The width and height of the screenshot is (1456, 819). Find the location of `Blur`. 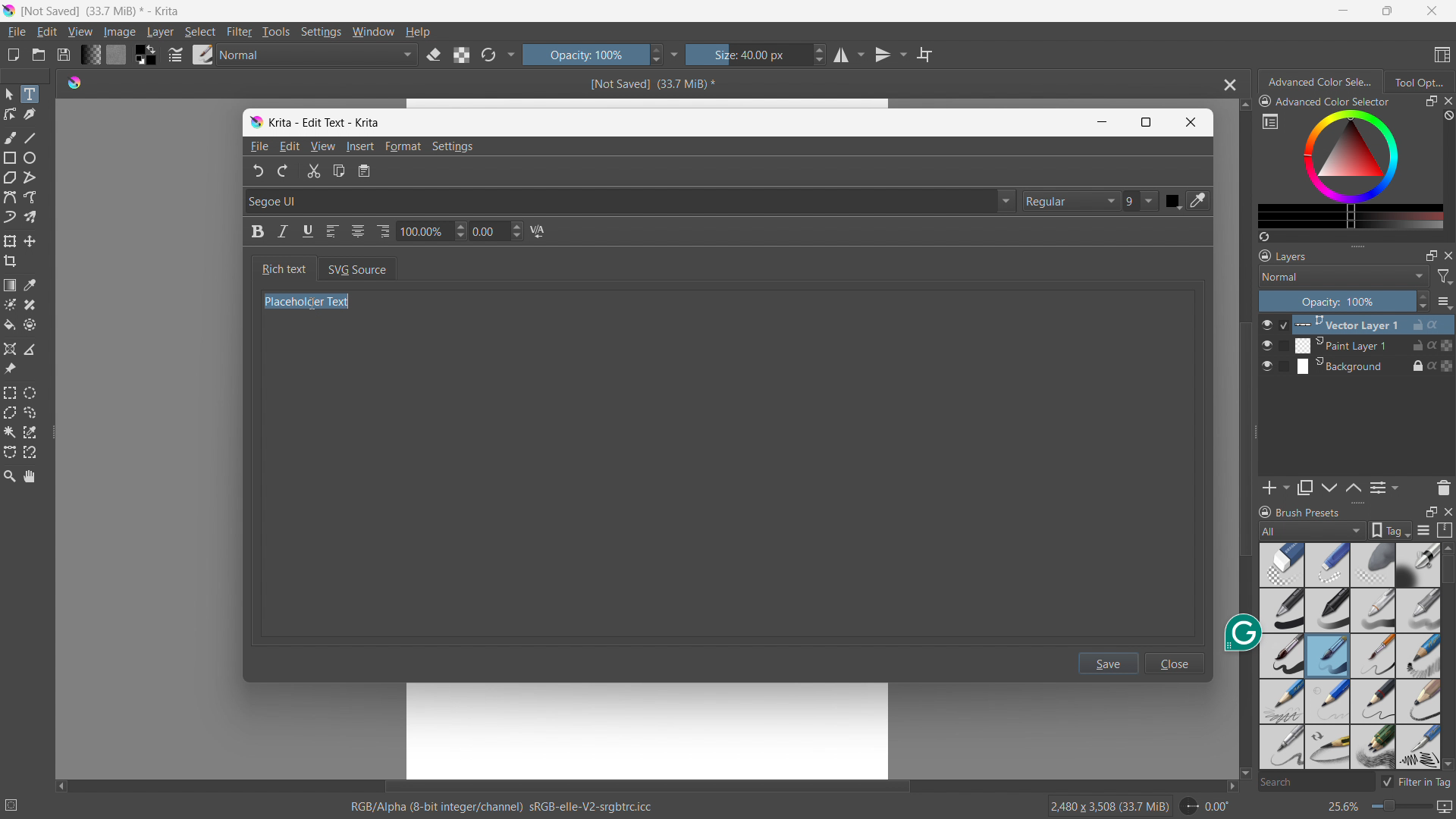

Blur is located at coordinates (1282, 564).